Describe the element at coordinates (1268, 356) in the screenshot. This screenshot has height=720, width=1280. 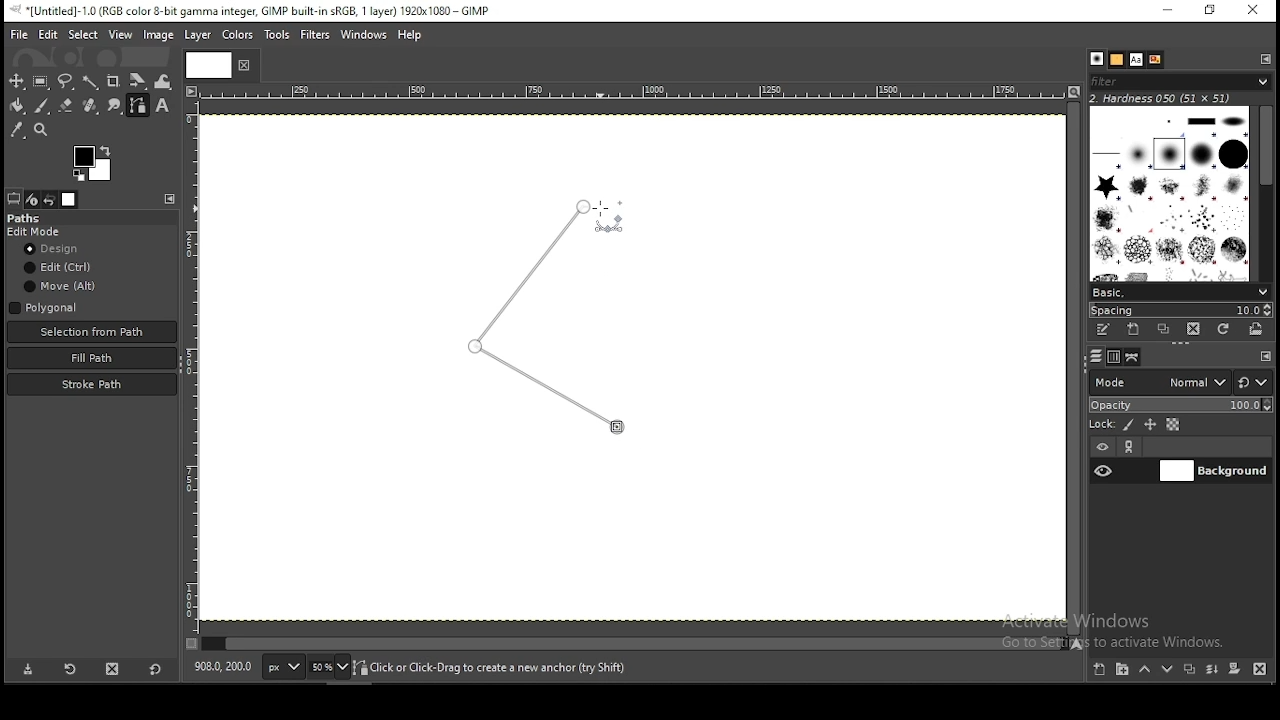
I see `configure this tab` at that location.